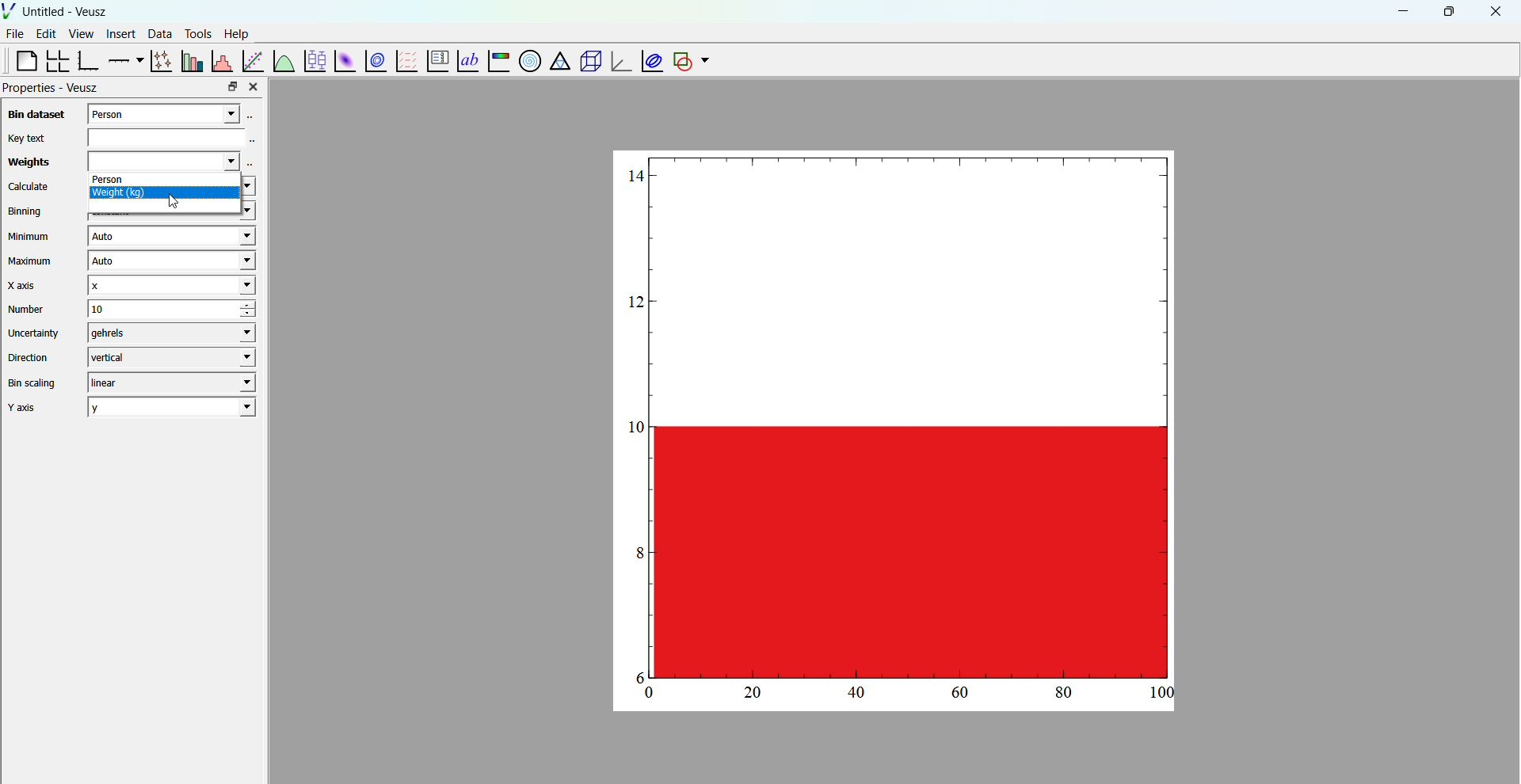 Image resolution: width=1521 pixels, height=784 pixels. What do you see at coordinates (165, 196) in the screenshot?
I see `Weight (kg)` at bounding box center [165, 196].